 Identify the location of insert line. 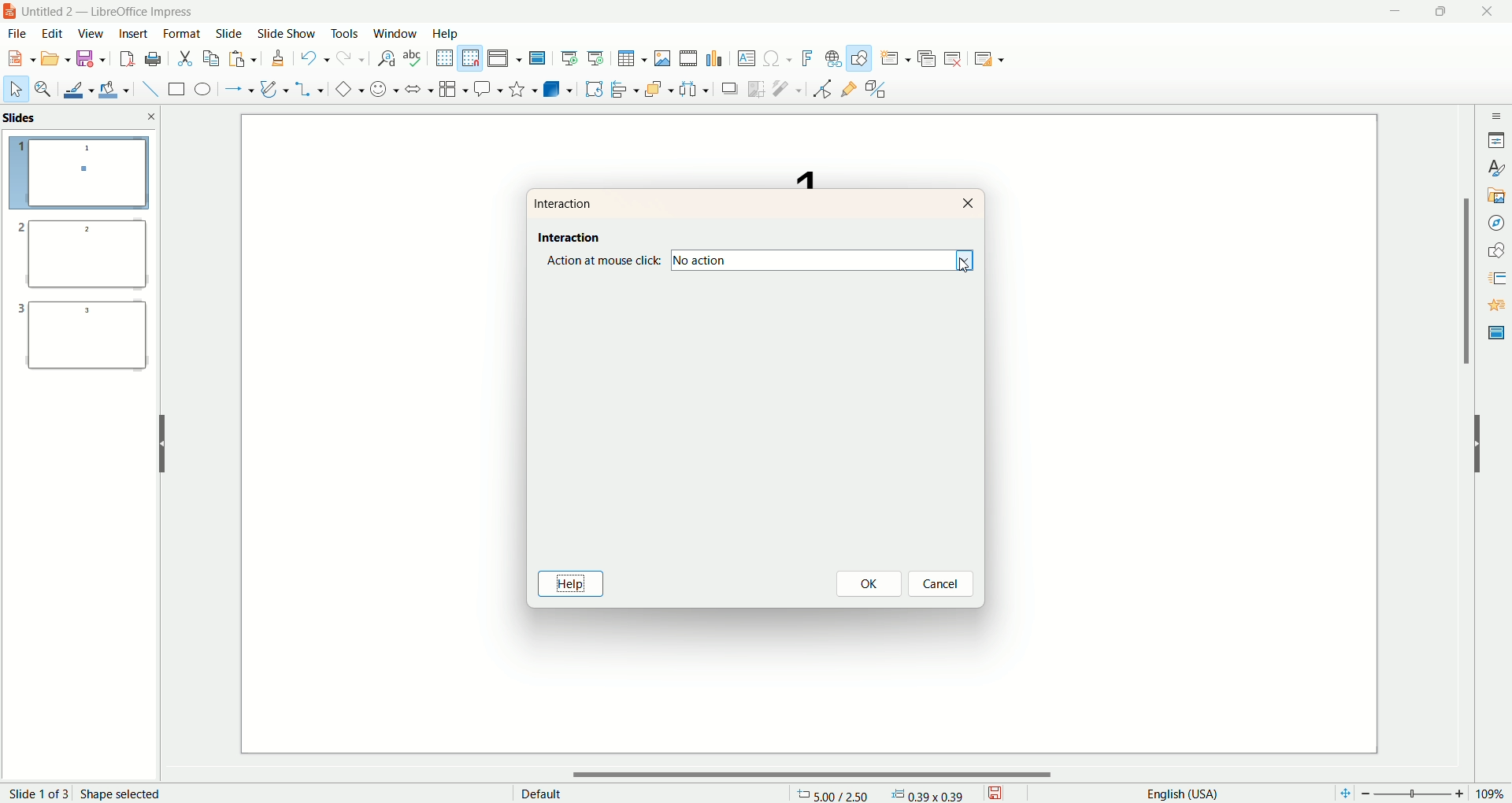
(145, 89).